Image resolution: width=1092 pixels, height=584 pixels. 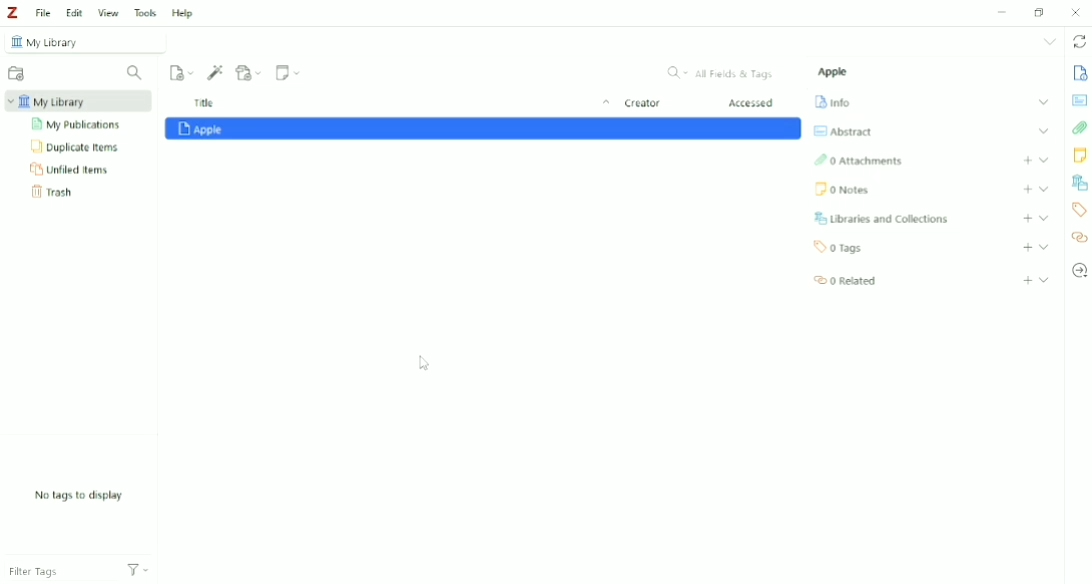 I want to click on Edit, so click(x=74, y=13).